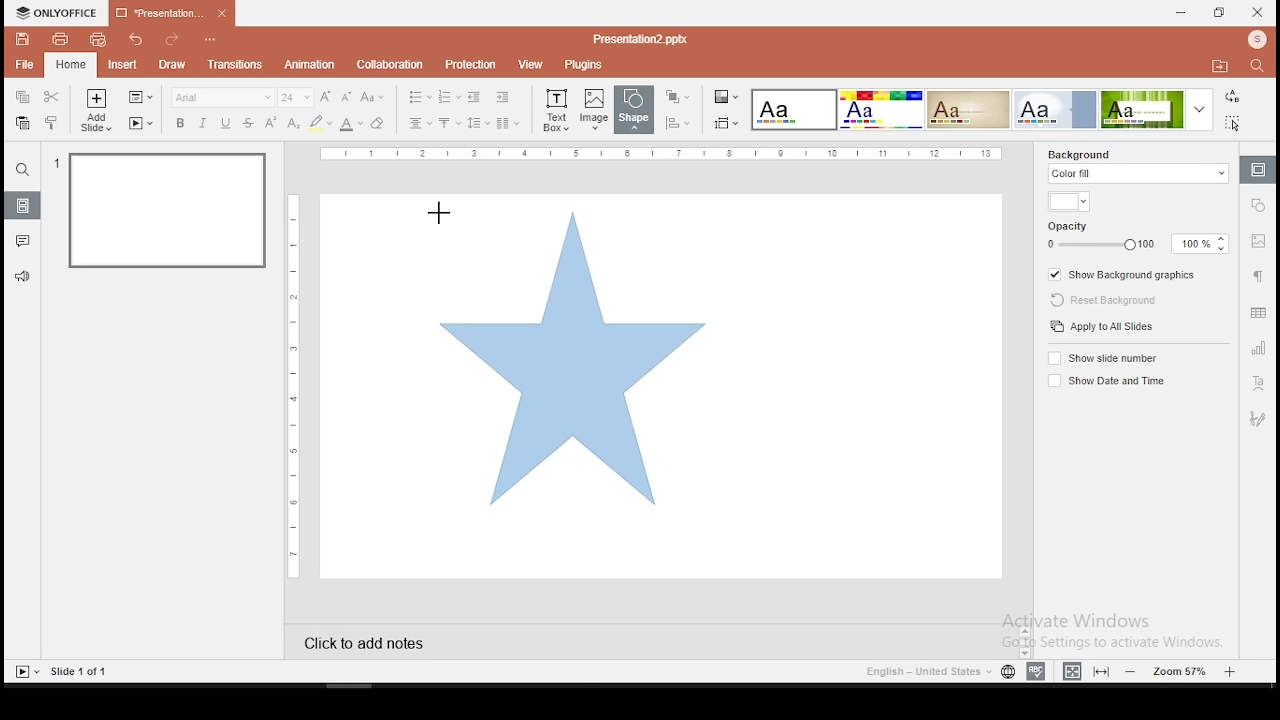 The width and height of the screenshot is (1280, 720). What do you see at coordinates (23, 39) in the screenshot?
I see `save` at bounding box center [23, 39].